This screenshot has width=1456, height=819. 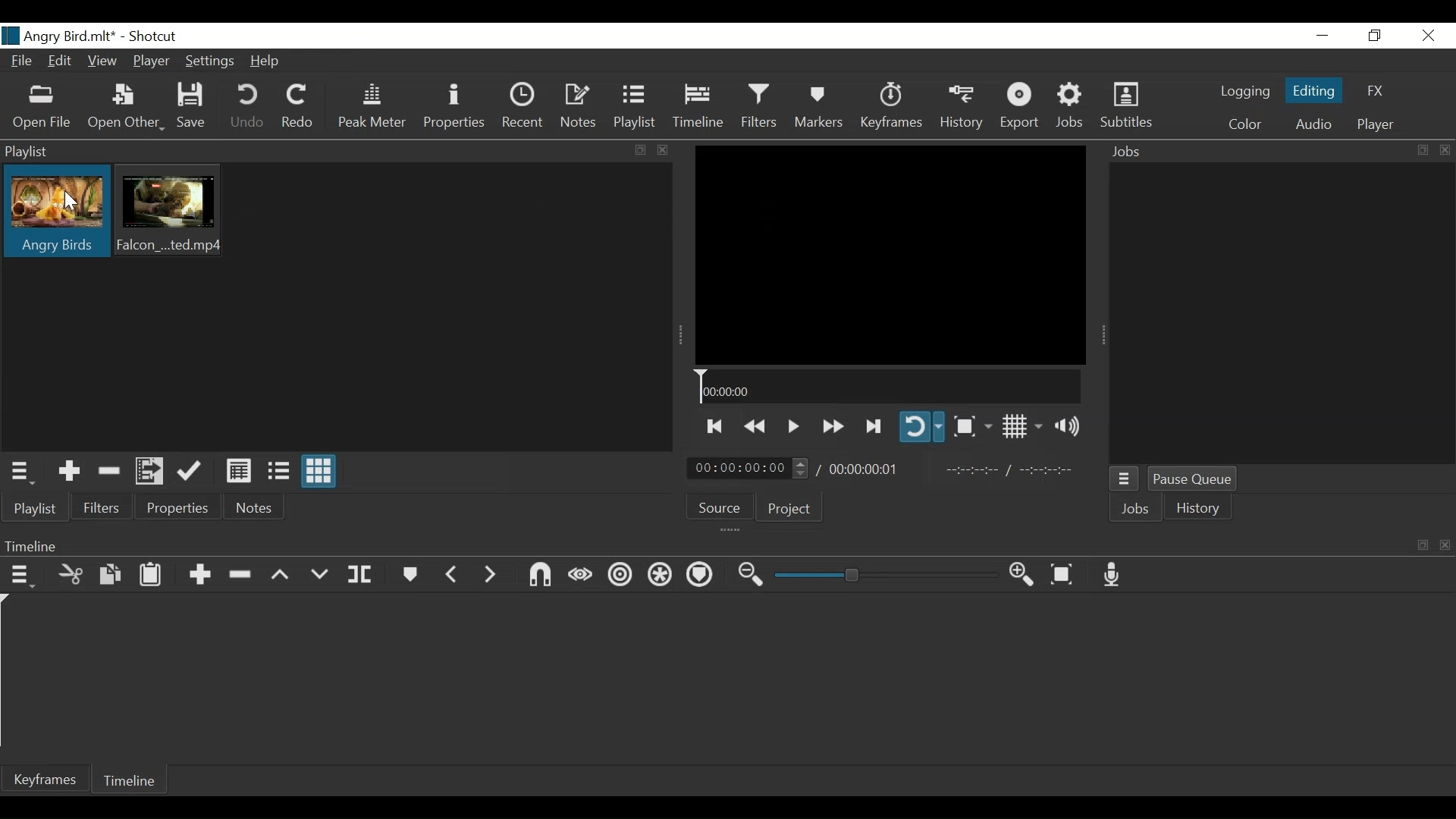 What do you see at coordinates (281, 574) in the screenshot?
I see `Lift` at bounding box center [281, 574].